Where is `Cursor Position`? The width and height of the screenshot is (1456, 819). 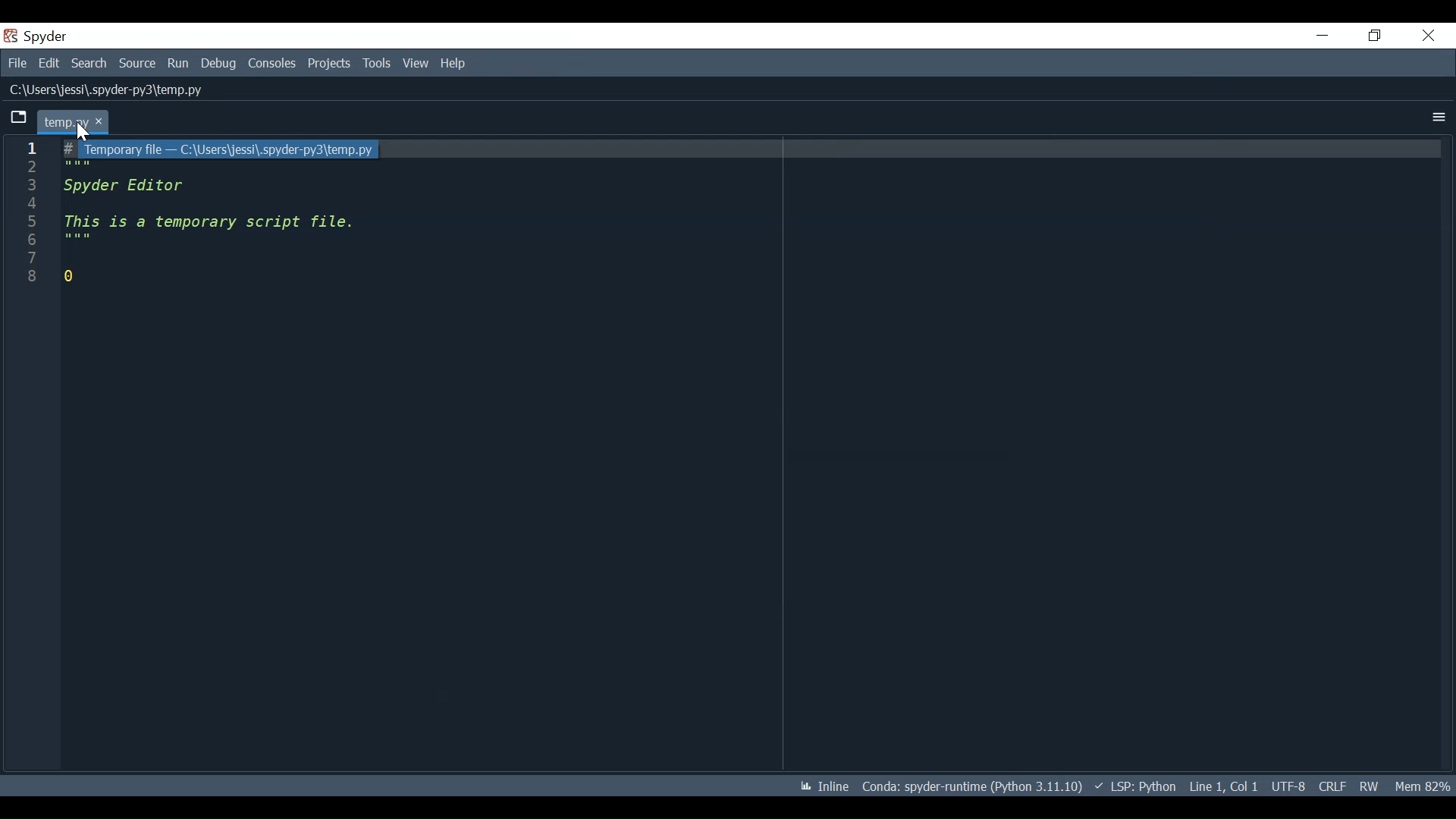 Cursor Position is located at coordinates (1223, 787).